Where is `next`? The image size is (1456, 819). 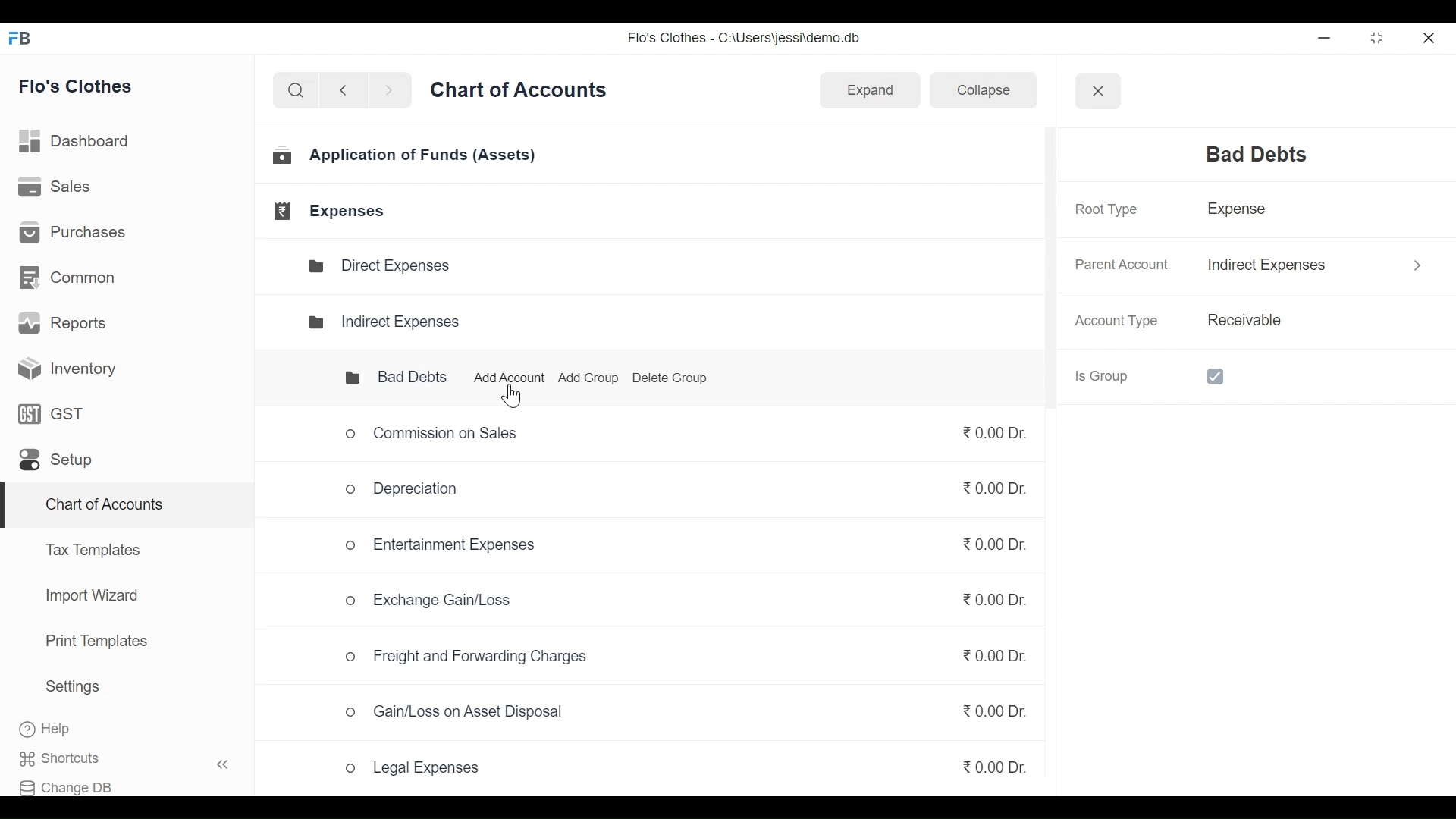
next is located at coordinates (391, 93).